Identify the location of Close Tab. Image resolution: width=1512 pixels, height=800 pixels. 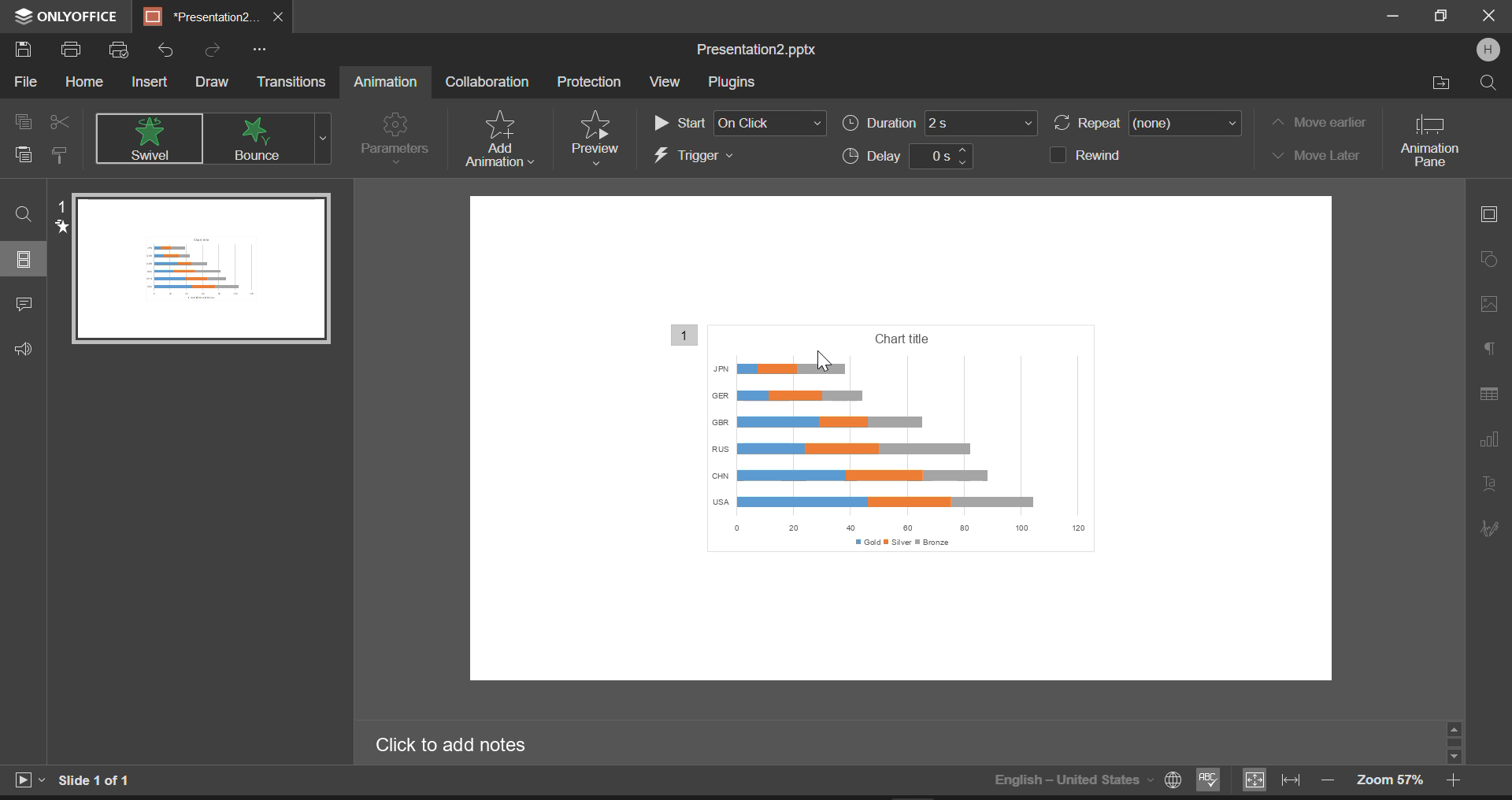
(280, 17).